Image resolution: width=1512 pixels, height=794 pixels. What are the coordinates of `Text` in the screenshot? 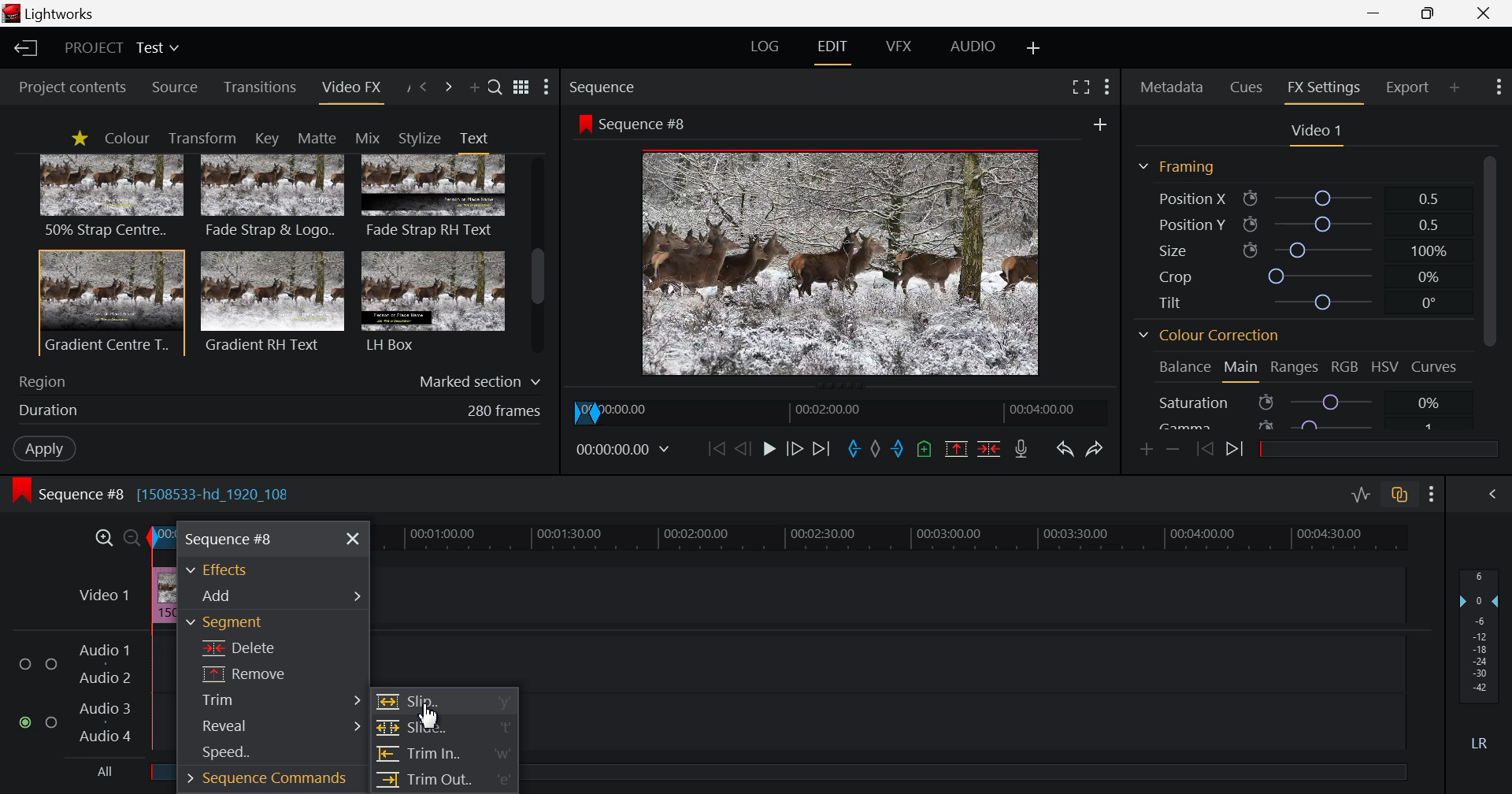 It's located at (473, 138).